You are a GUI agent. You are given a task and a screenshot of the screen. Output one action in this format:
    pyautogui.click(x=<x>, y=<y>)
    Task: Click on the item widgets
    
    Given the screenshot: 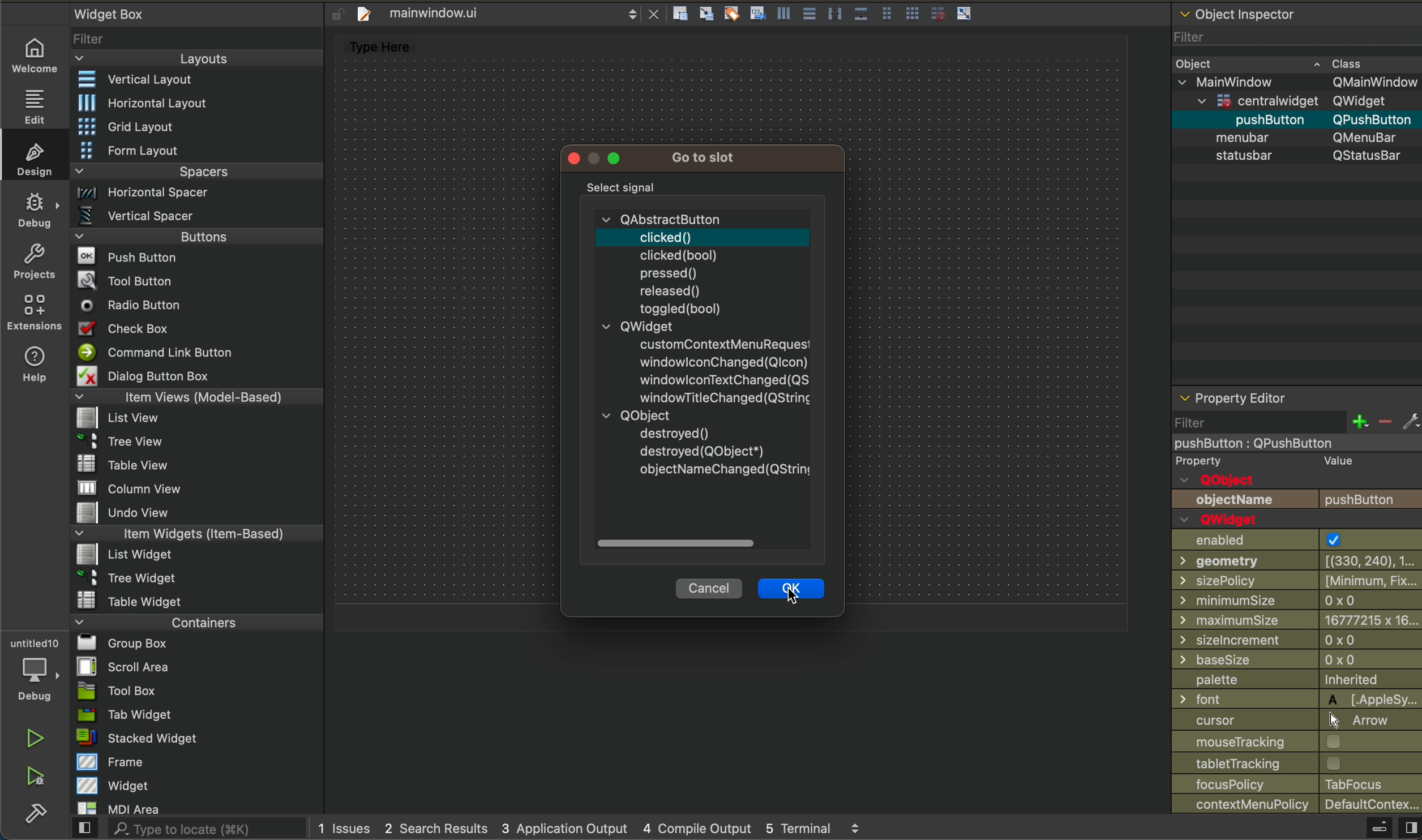 What is the action you would take?
    pyautogui.click(x=194, y=535)
    